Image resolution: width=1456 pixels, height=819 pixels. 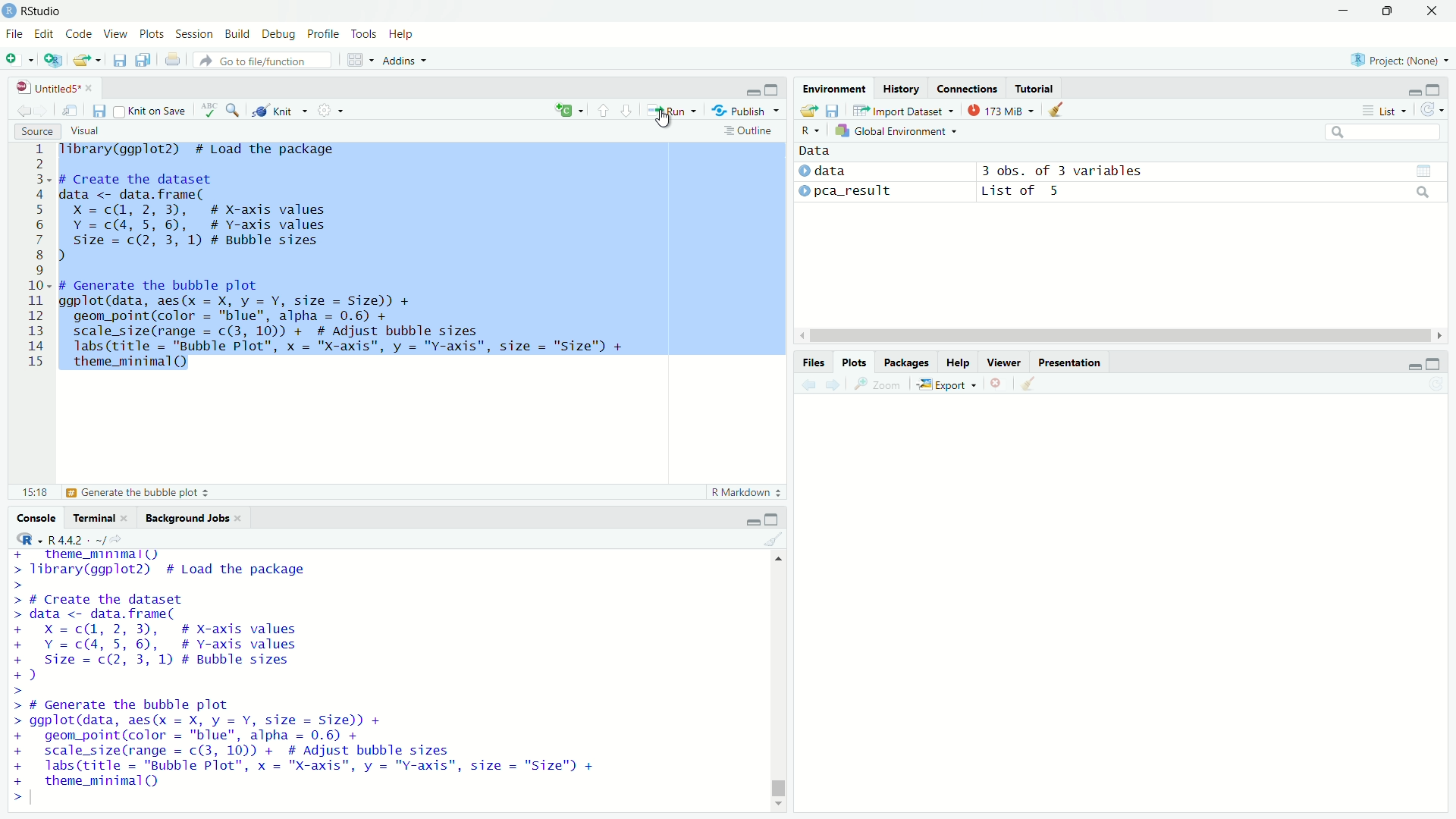 What do you see at coordinates (1436, 363) in the screenshot?
I see `maximize` at bounding box center [1436, 363].